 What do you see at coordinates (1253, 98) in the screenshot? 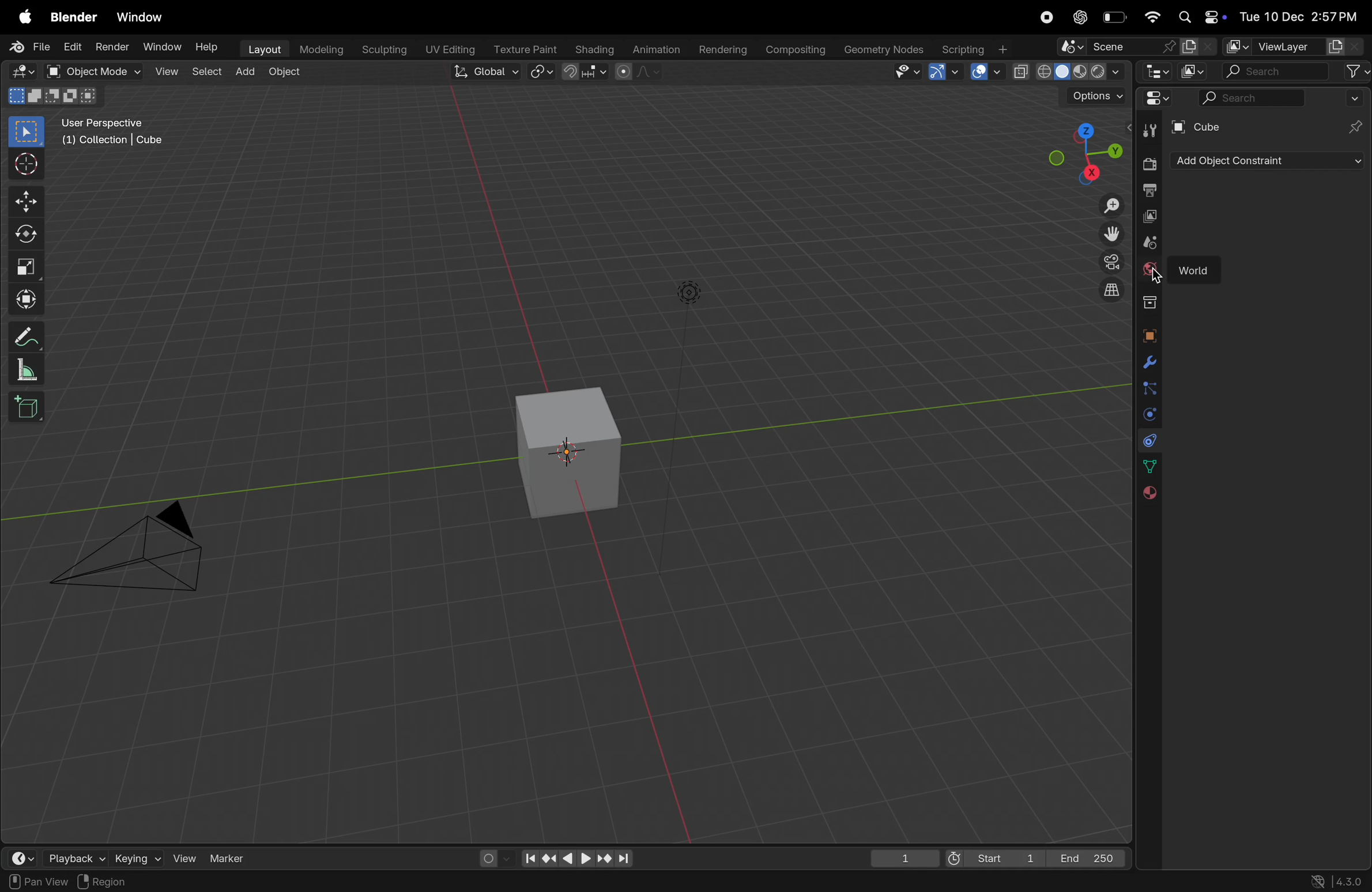
I see `search` at bounding box center [1253, 98].